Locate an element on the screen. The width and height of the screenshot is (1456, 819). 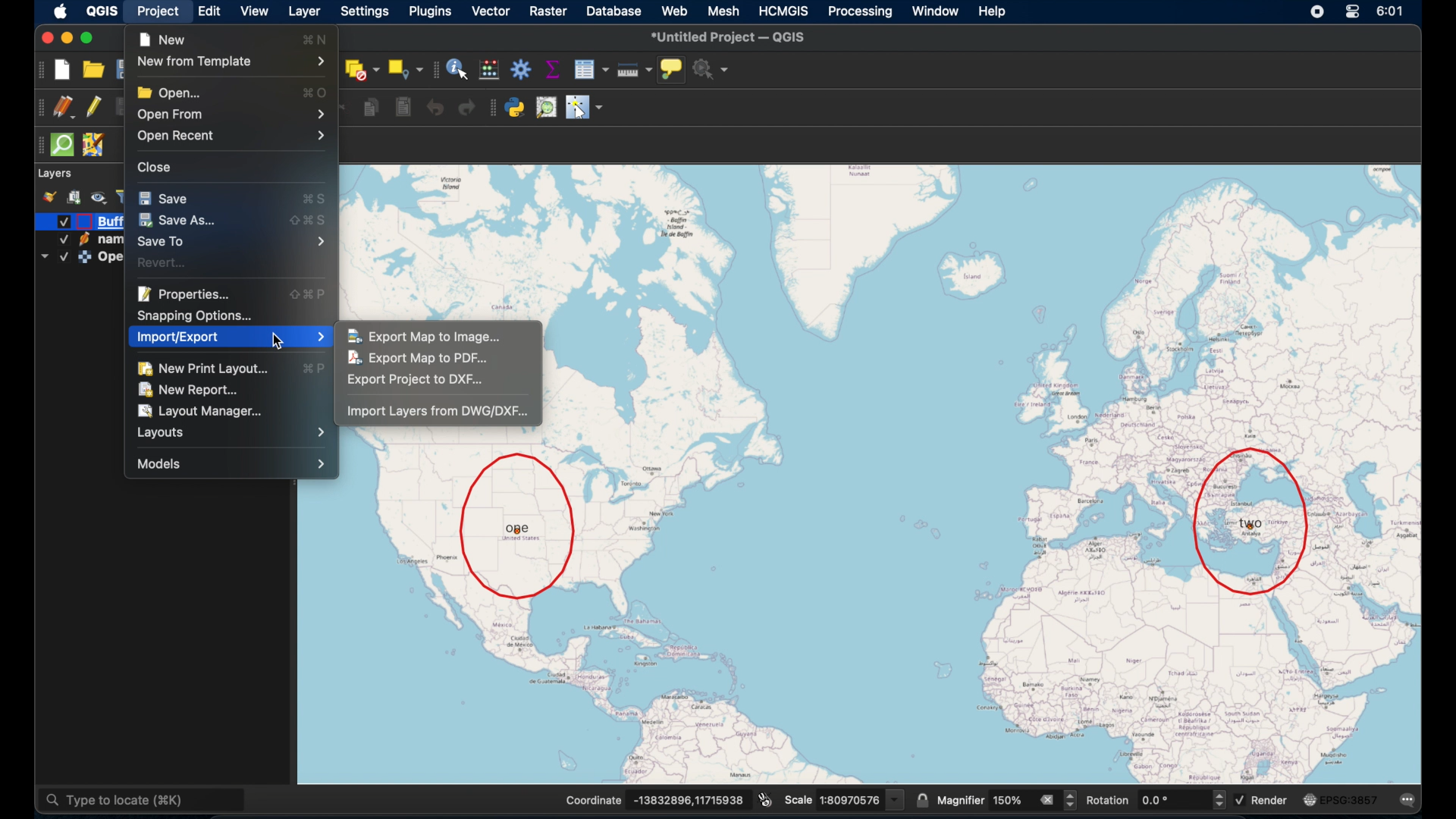
layer is located at coordinates (303, 11).